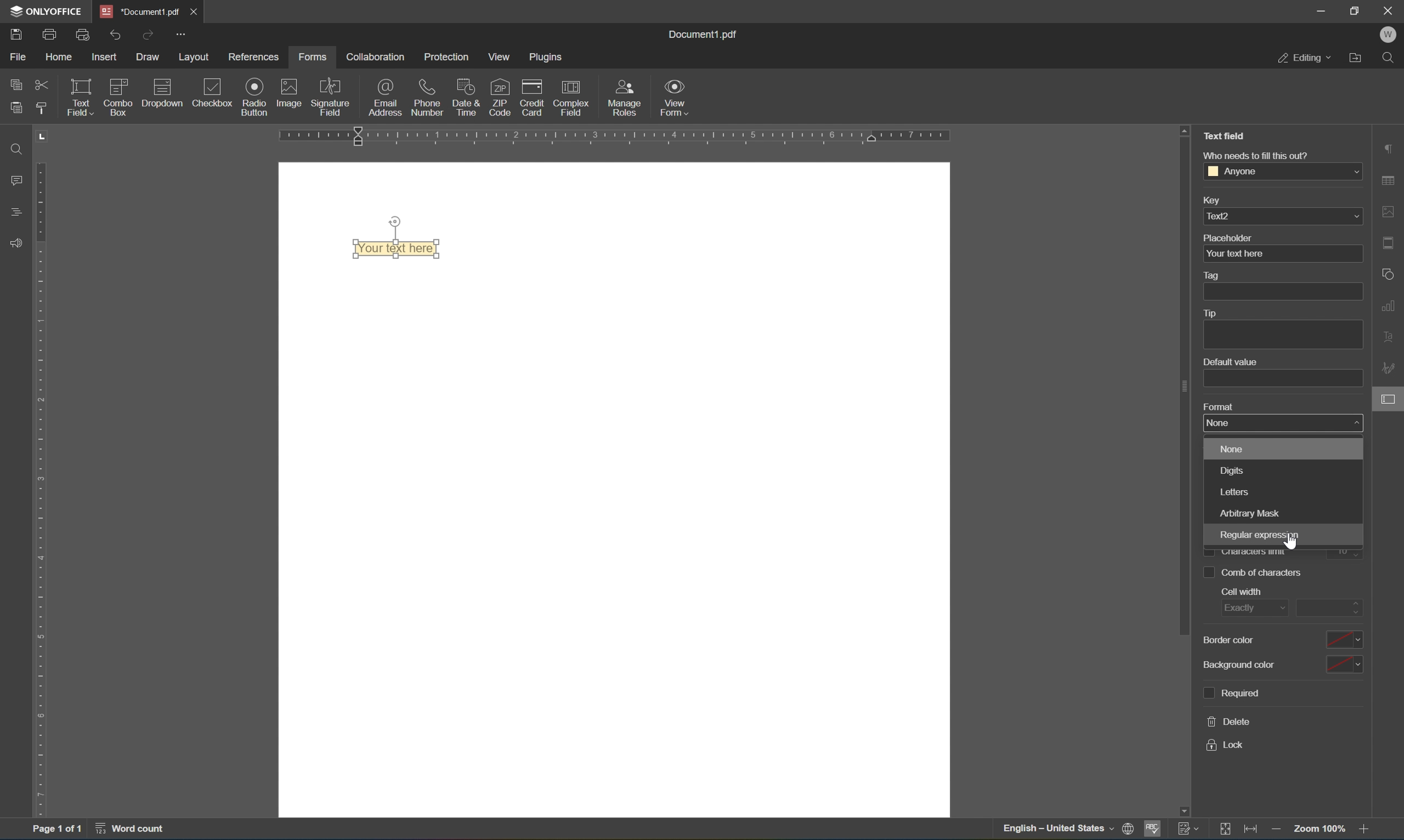  What do you see at coordinates (1226, 721) in the screenshot?
I see `delete` at bounding box center [1226, 721].